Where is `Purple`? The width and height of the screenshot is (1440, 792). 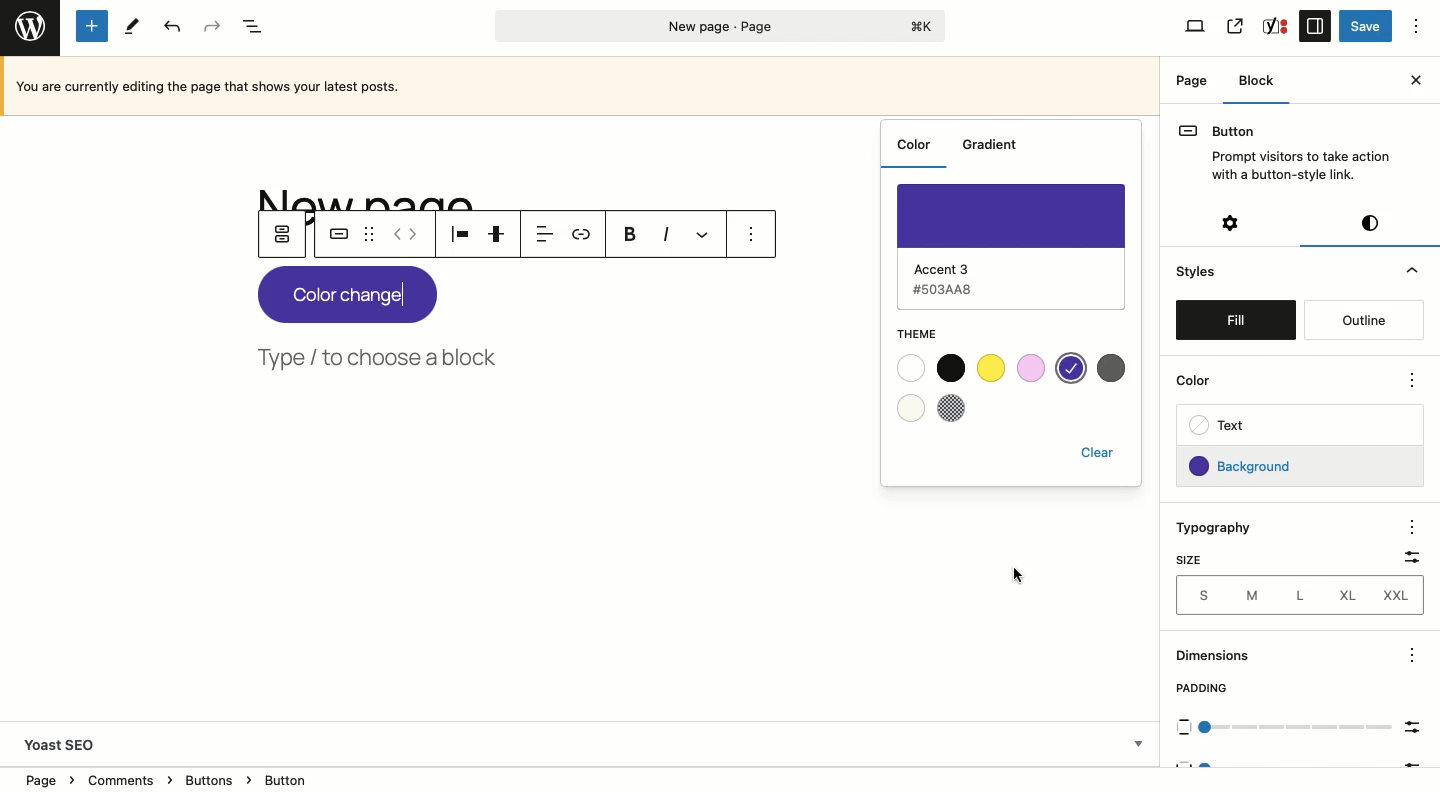 Purple is located at coordinates (1011, 214).